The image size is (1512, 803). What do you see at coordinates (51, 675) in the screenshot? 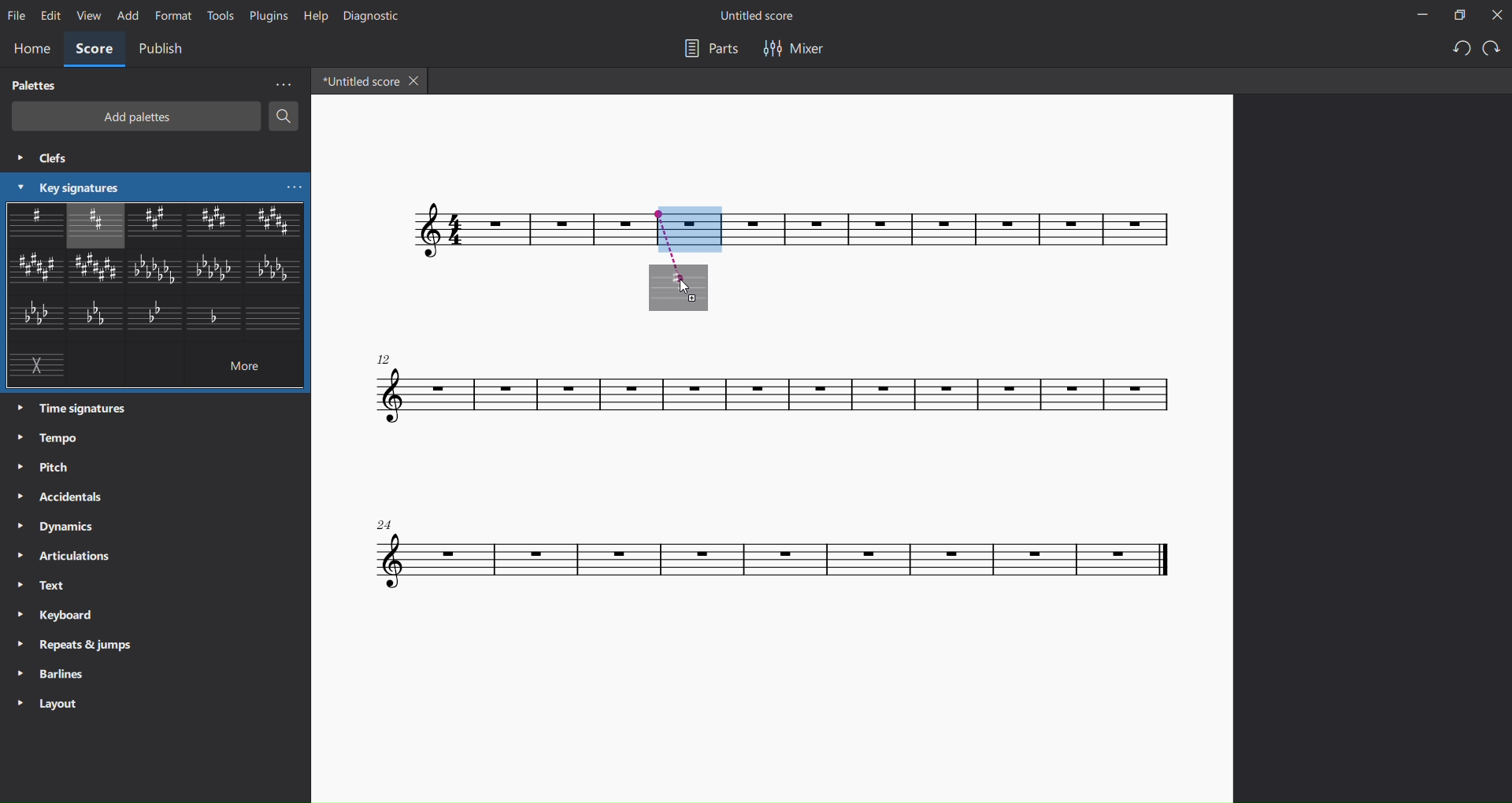
I see `barlines` at bounding box center [51, 675].